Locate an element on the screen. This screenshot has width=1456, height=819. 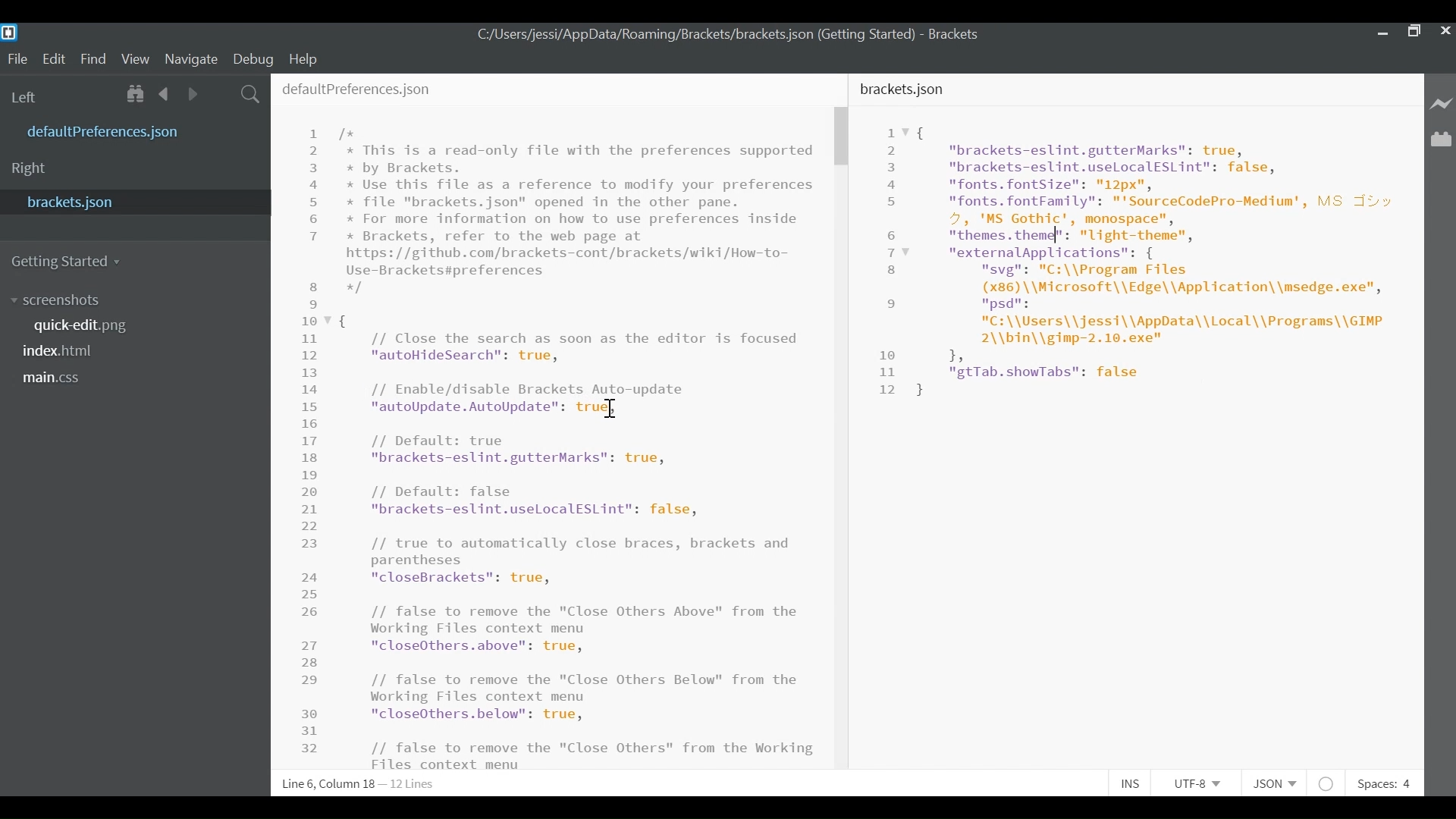
Restore is located at coordinates (1414, 30).